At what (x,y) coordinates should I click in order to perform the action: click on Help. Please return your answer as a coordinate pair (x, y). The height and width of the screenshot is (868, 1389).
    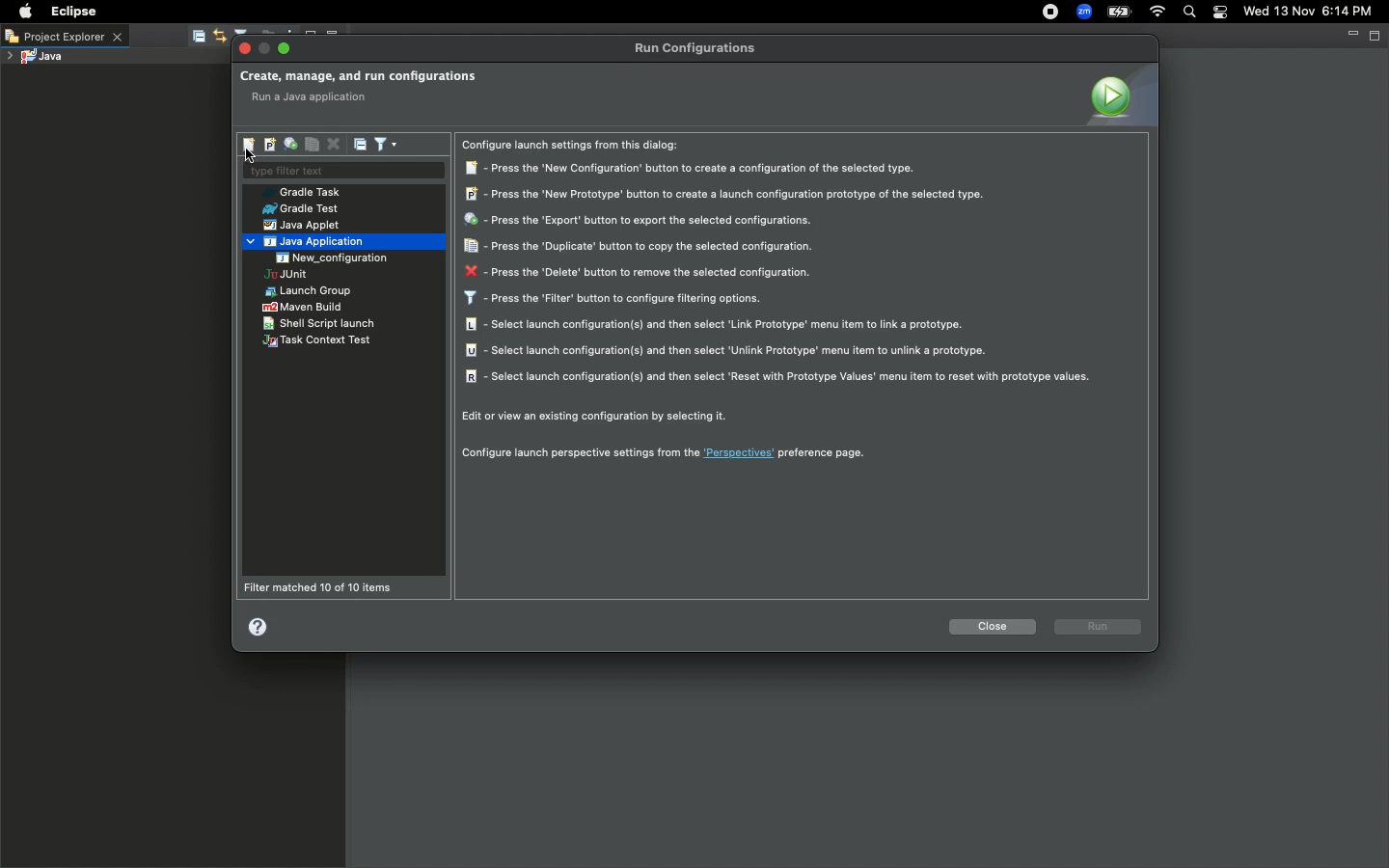
    Looking at the image, I should click on (259, 626).